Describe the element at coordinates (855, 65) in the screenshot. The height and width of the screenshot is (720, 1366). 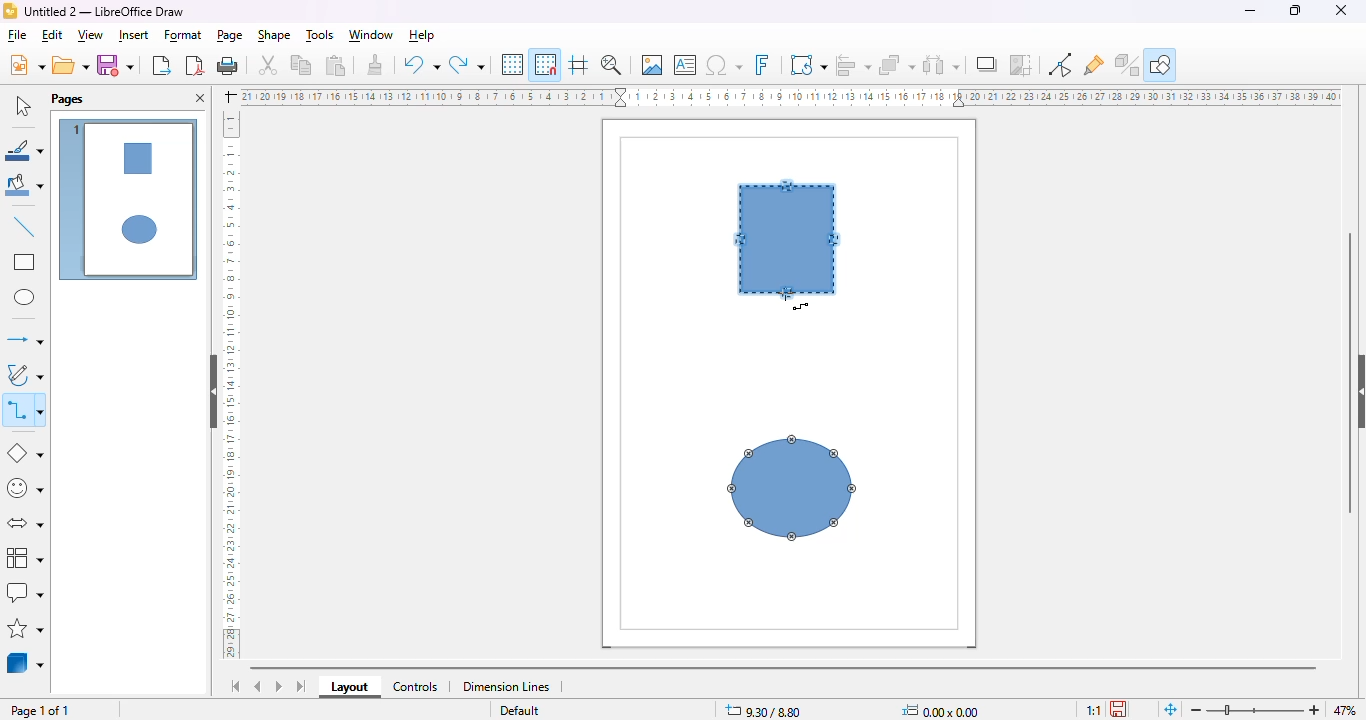
I see `align objects` at that location.